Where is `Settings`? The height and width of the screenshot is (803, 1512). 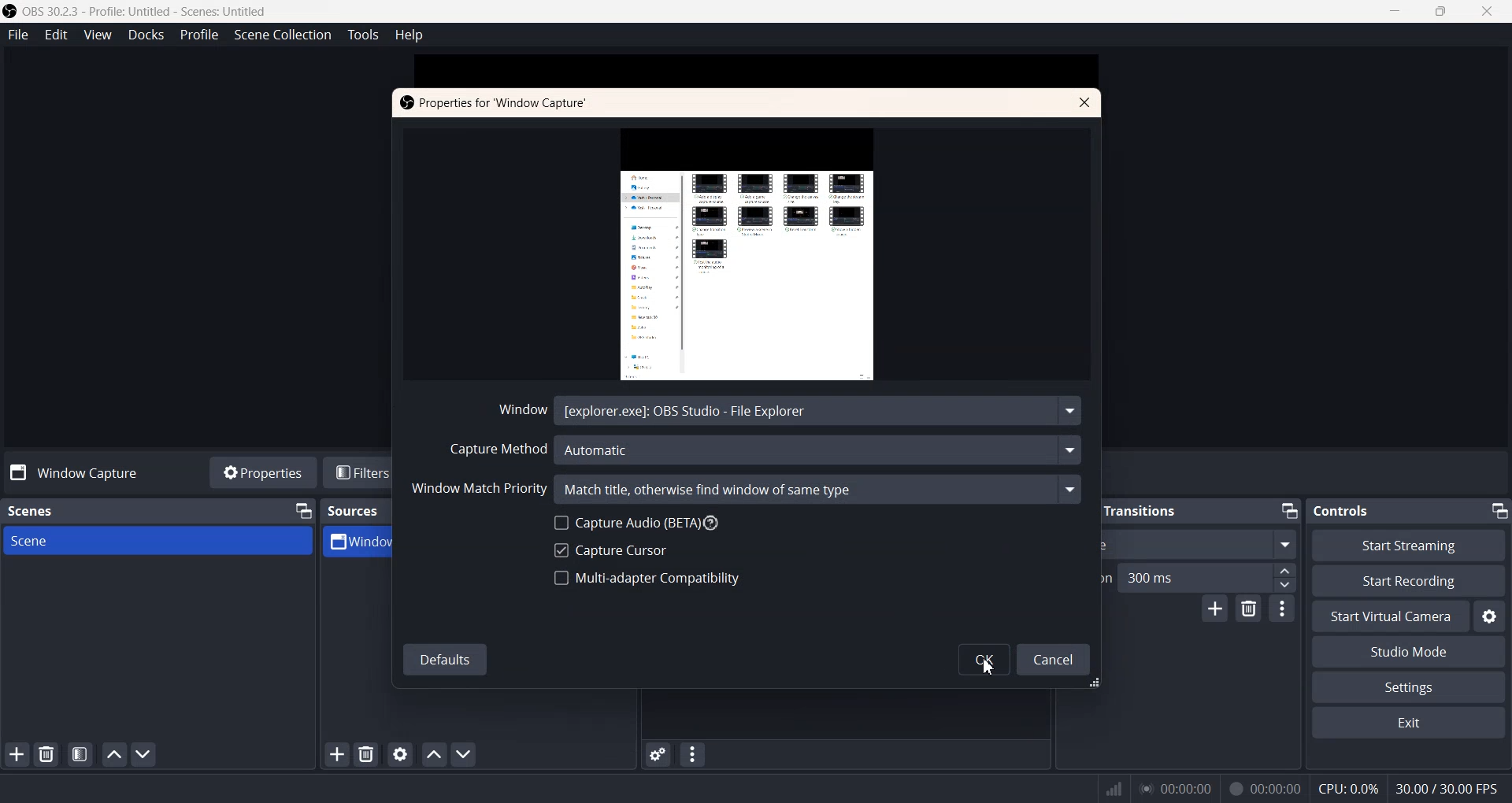
Settings is located at coordinates (1408, 688).